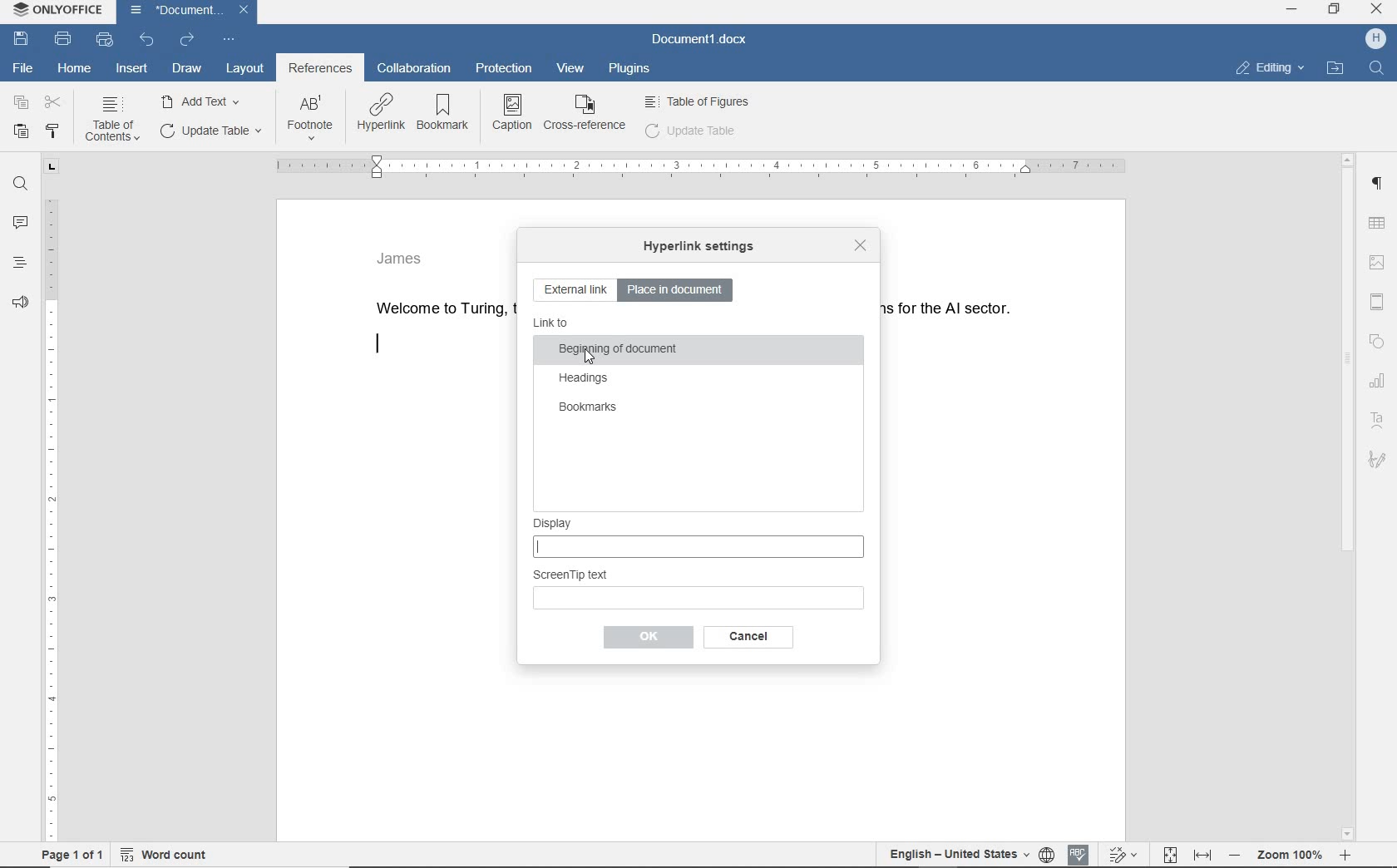 Image resolution: width=1397 pixels, height=868 pixels. Describe the element at coordinates (310, 121) in the screenshot. I see `FOOTNOTE` at that location.